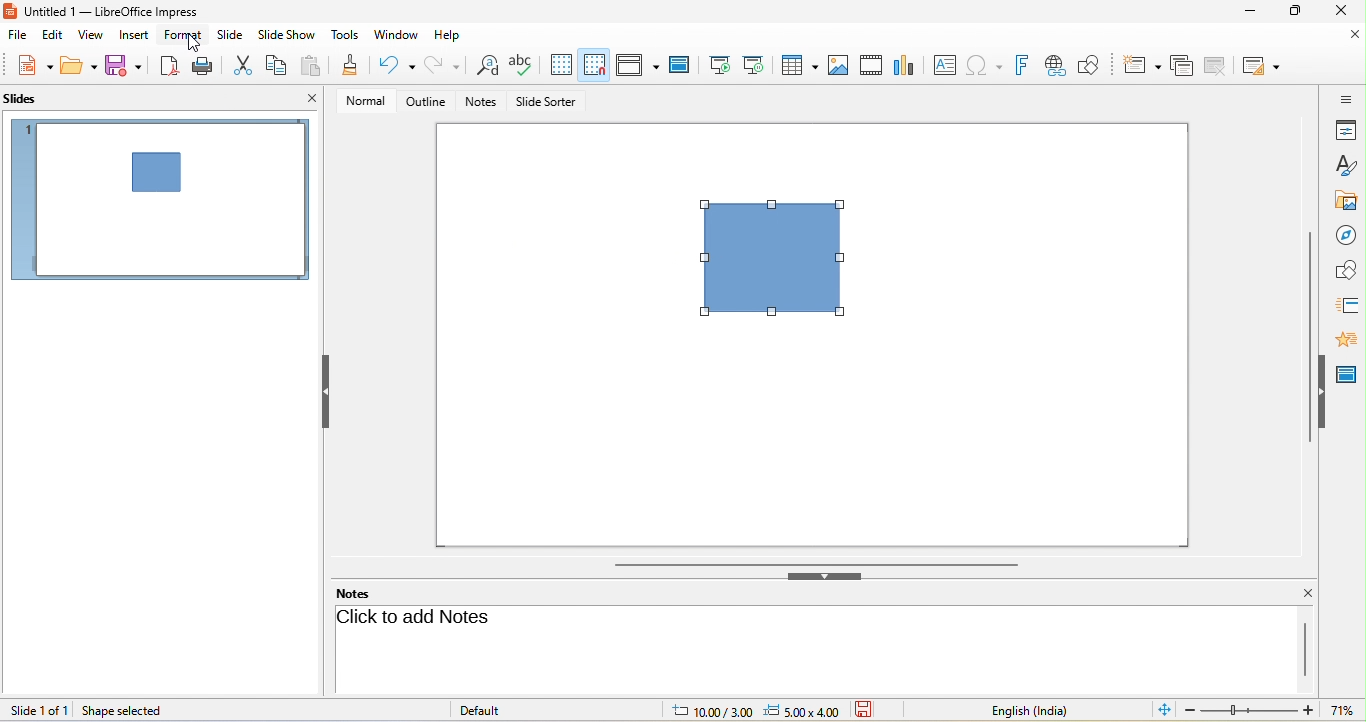  I want to click on maximize, so click(1295, 12).